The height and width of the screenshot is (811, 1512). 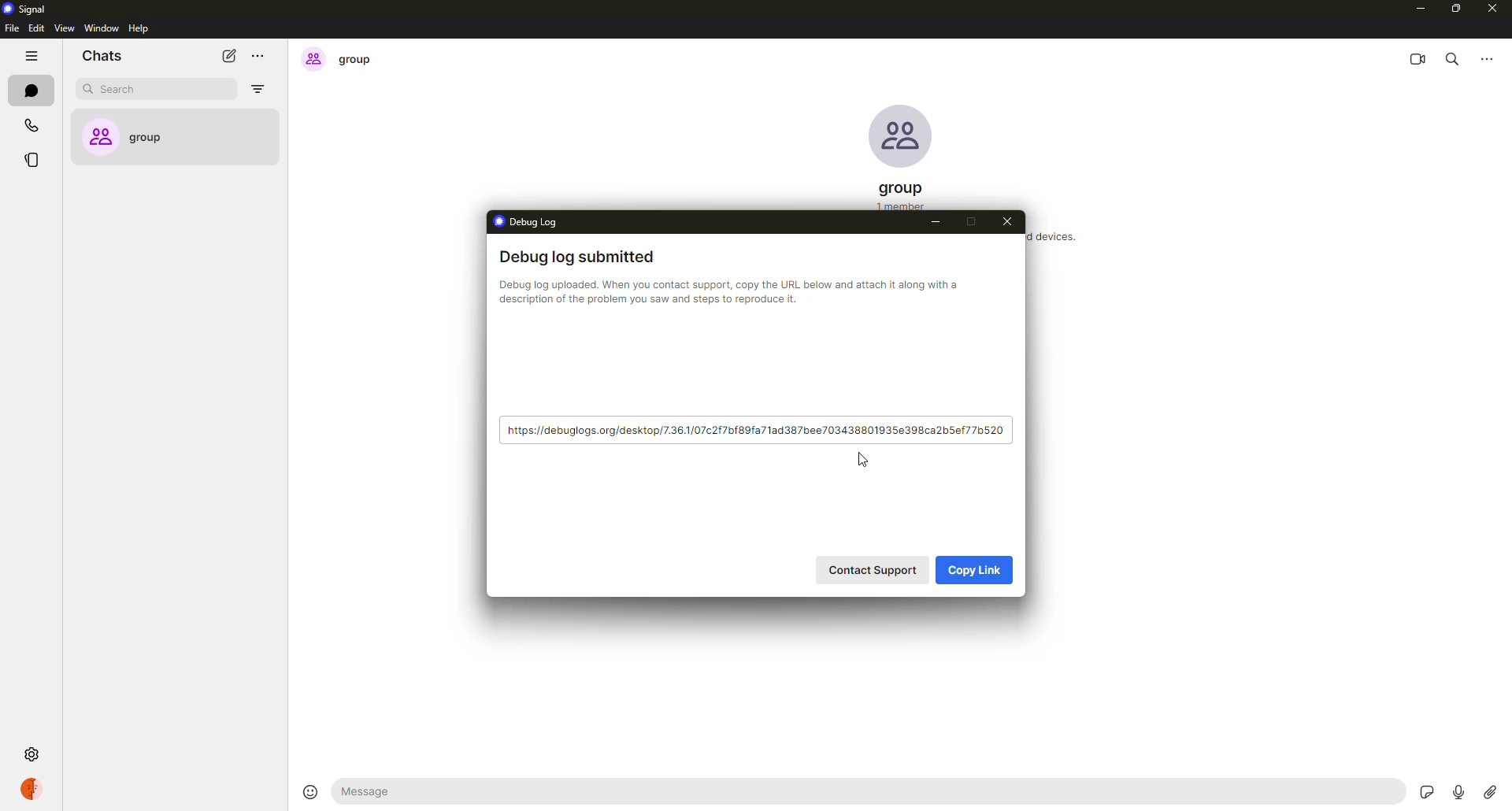 I want to click on close, so click(x=1494, y=10).